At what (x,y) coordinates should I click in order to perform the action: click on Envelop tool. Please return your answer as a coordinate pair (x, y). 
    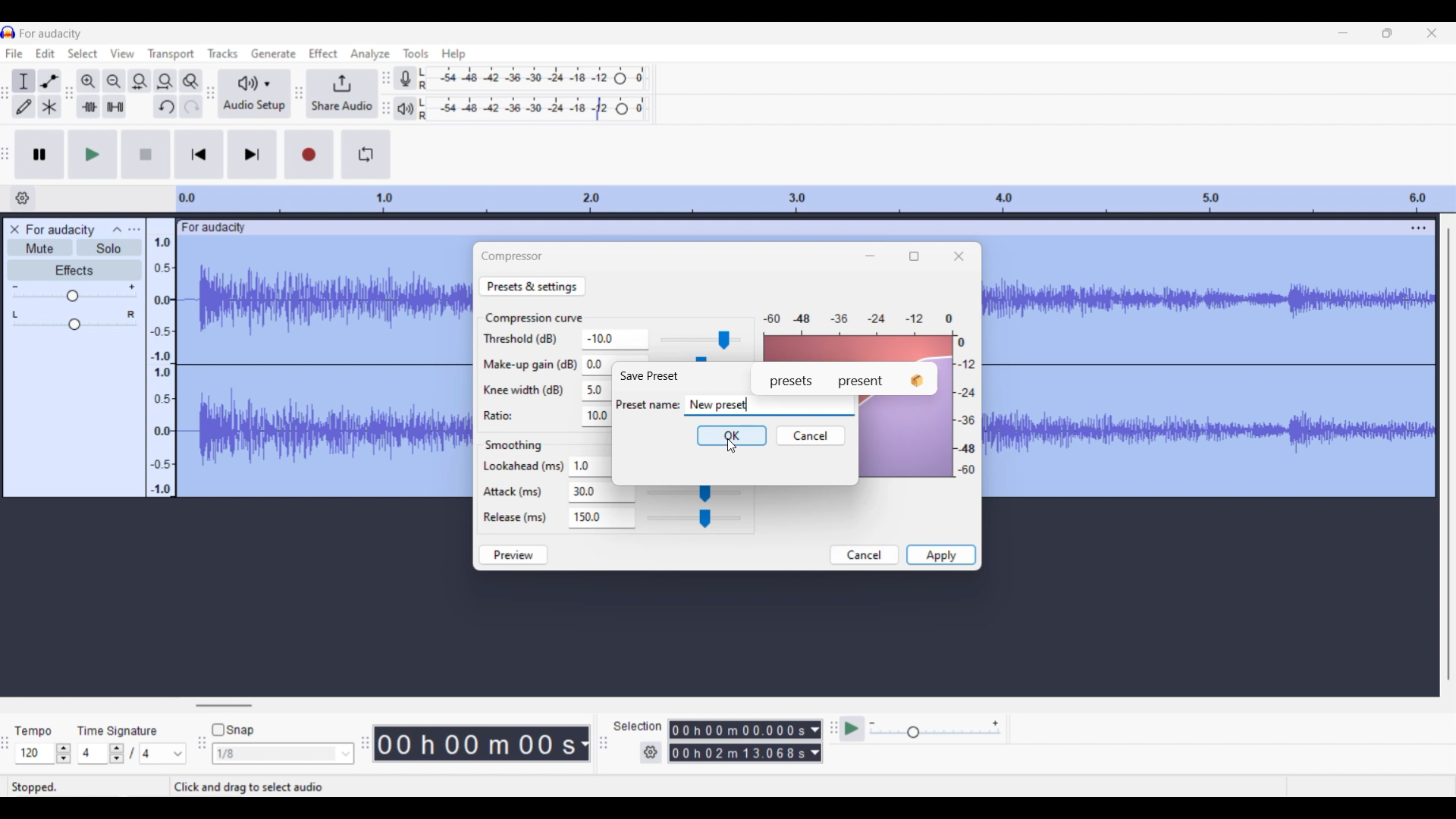
    Looking at the image, I should click on (50, 81).